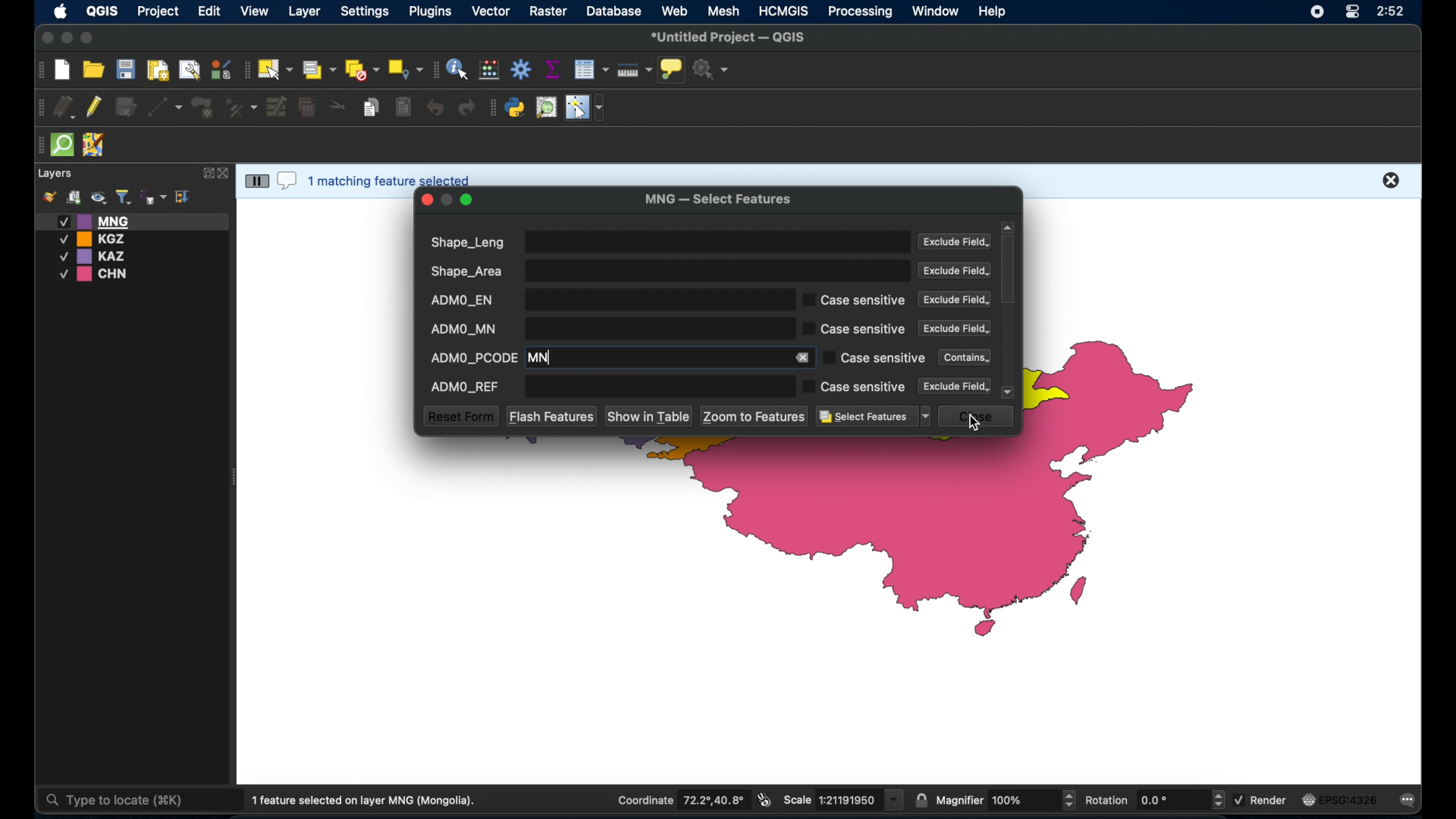 Image resolution: width=1456 pixels, height=819 pixels. I want to click on contains, so click(961, 356).